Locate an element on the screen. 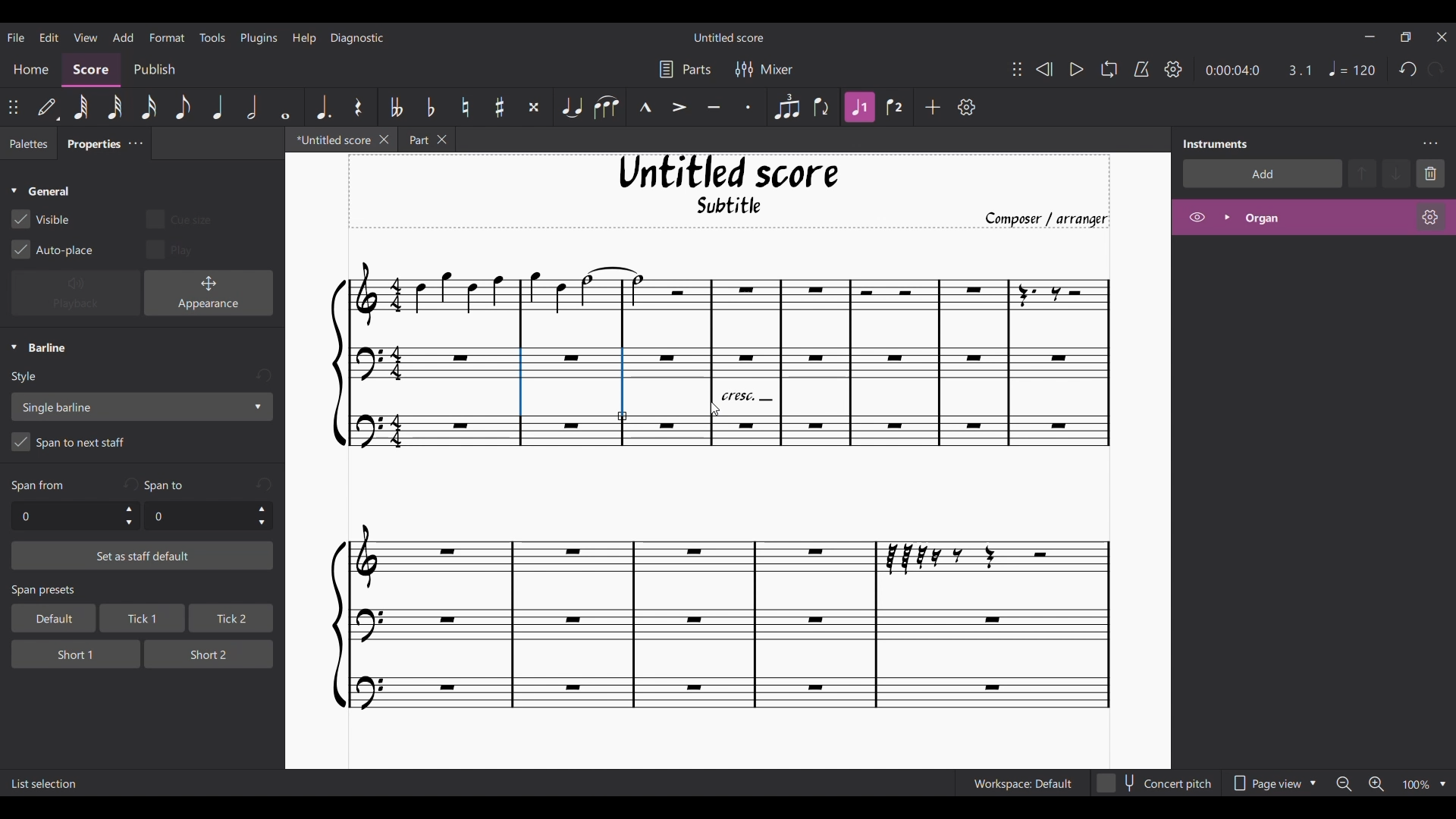 The height and width of the screenshot is (819, 1456). Augmentation dot is located at coordinates (322, 106).